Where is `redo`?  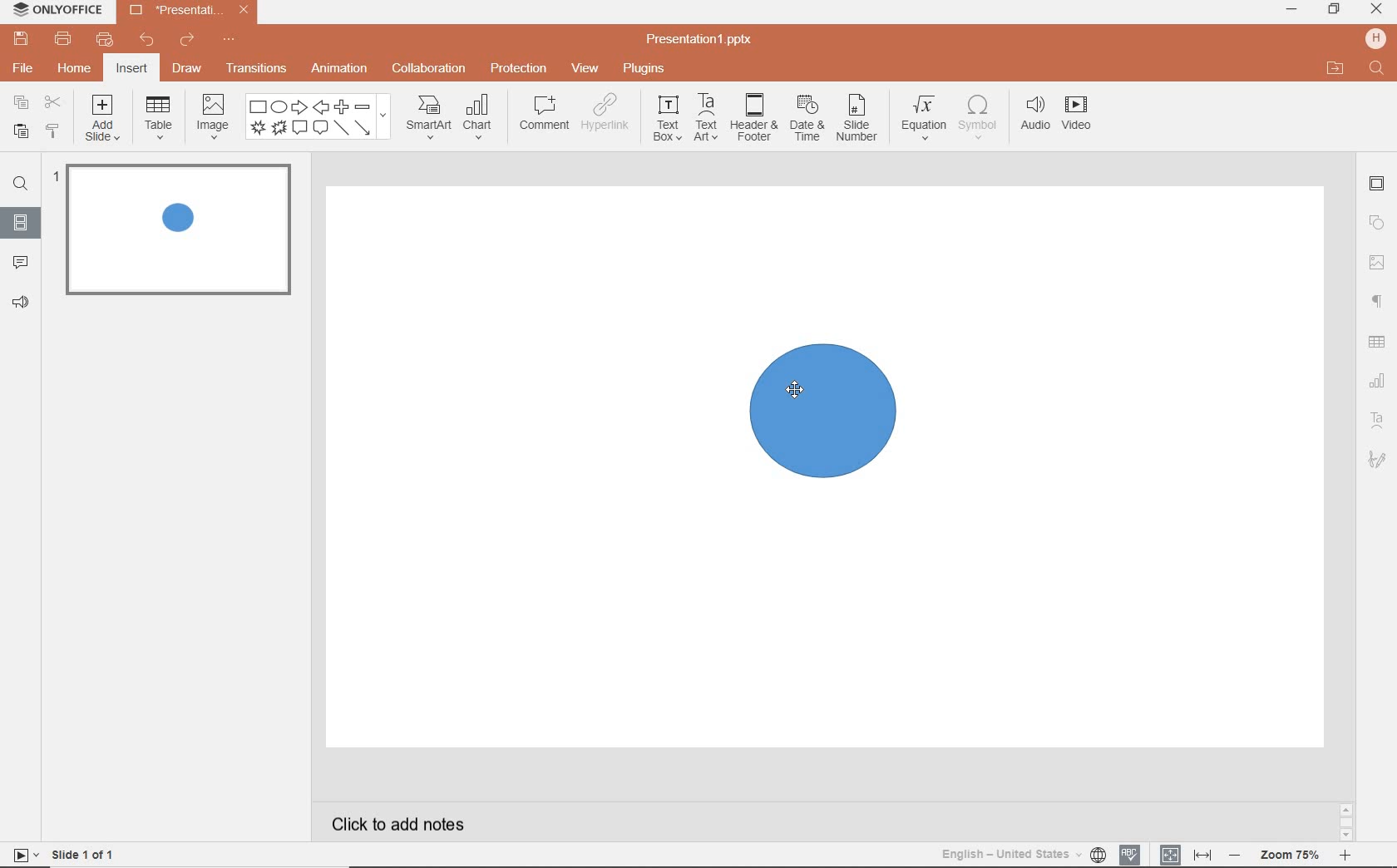 redo is located at coordinates (188, 40).